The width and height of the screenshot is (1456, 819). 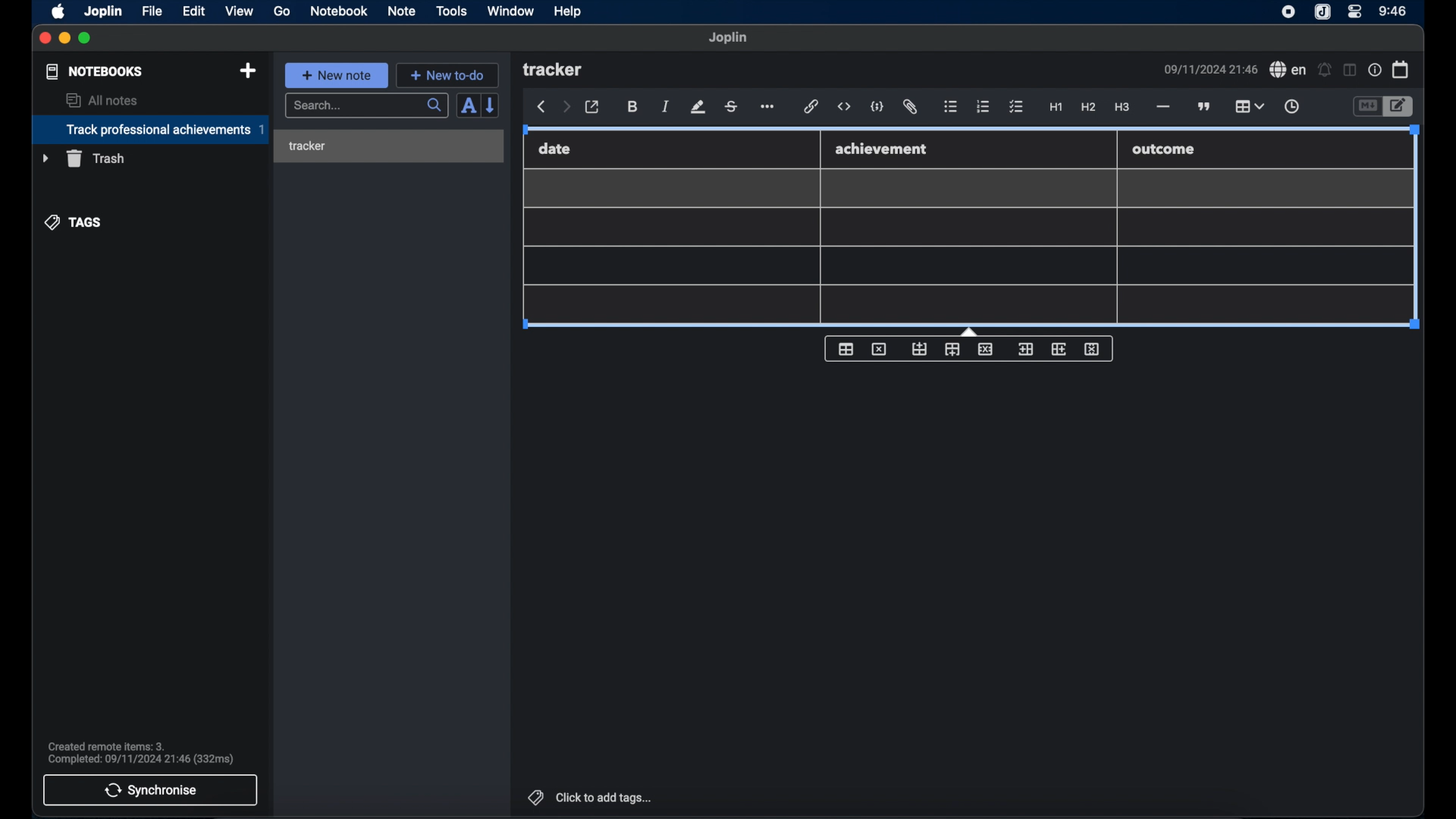 I want to click on strikethrough, so click(x=732, y=106).